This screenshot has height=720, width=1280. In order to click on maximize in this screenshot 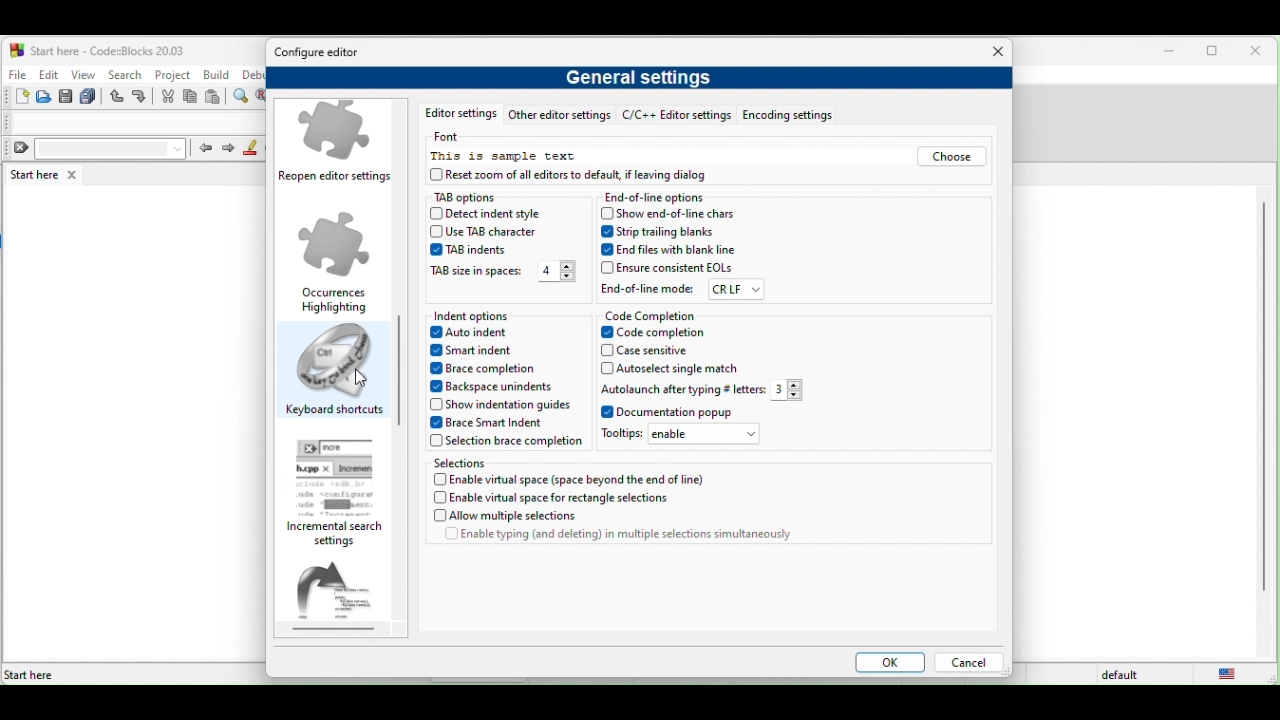, I will do `click(1216, 53)`.